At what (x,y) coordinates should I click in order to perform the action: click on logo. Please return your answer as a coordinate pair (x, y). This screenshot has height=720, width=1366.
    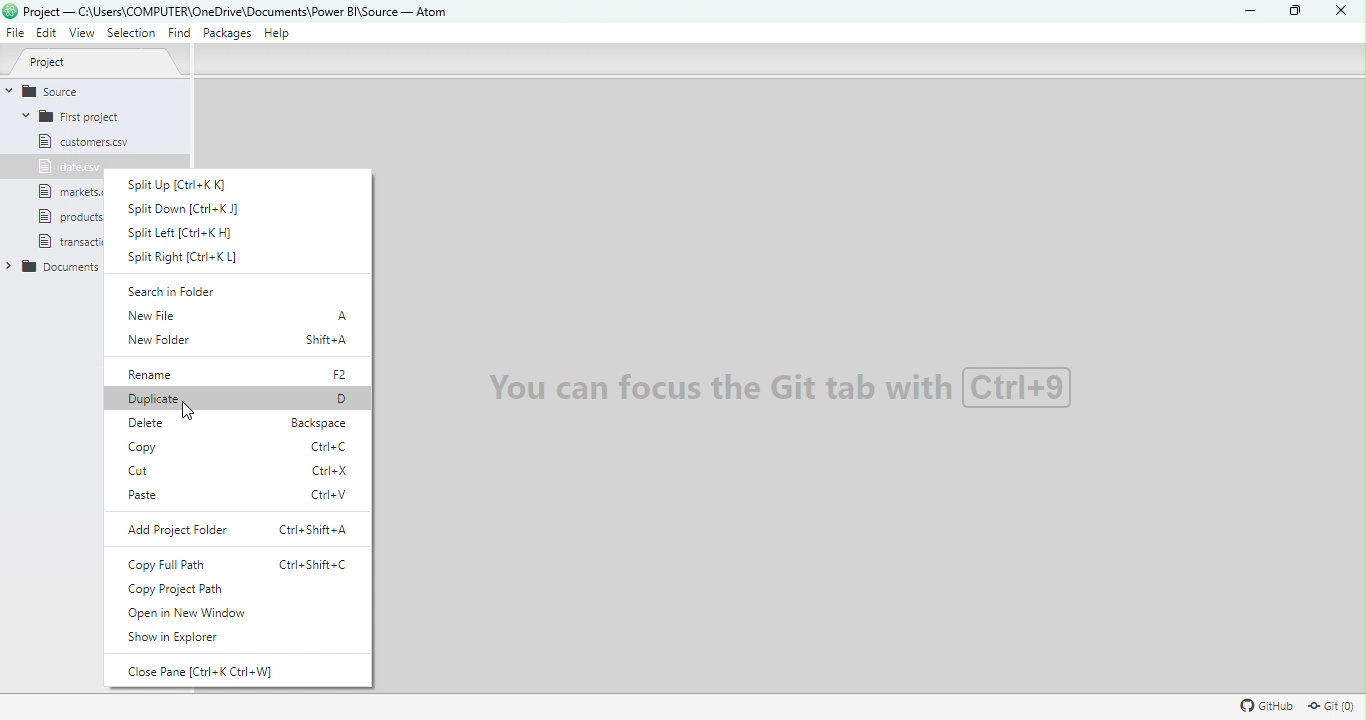
    Looking at the image, I should click on (10, 11).